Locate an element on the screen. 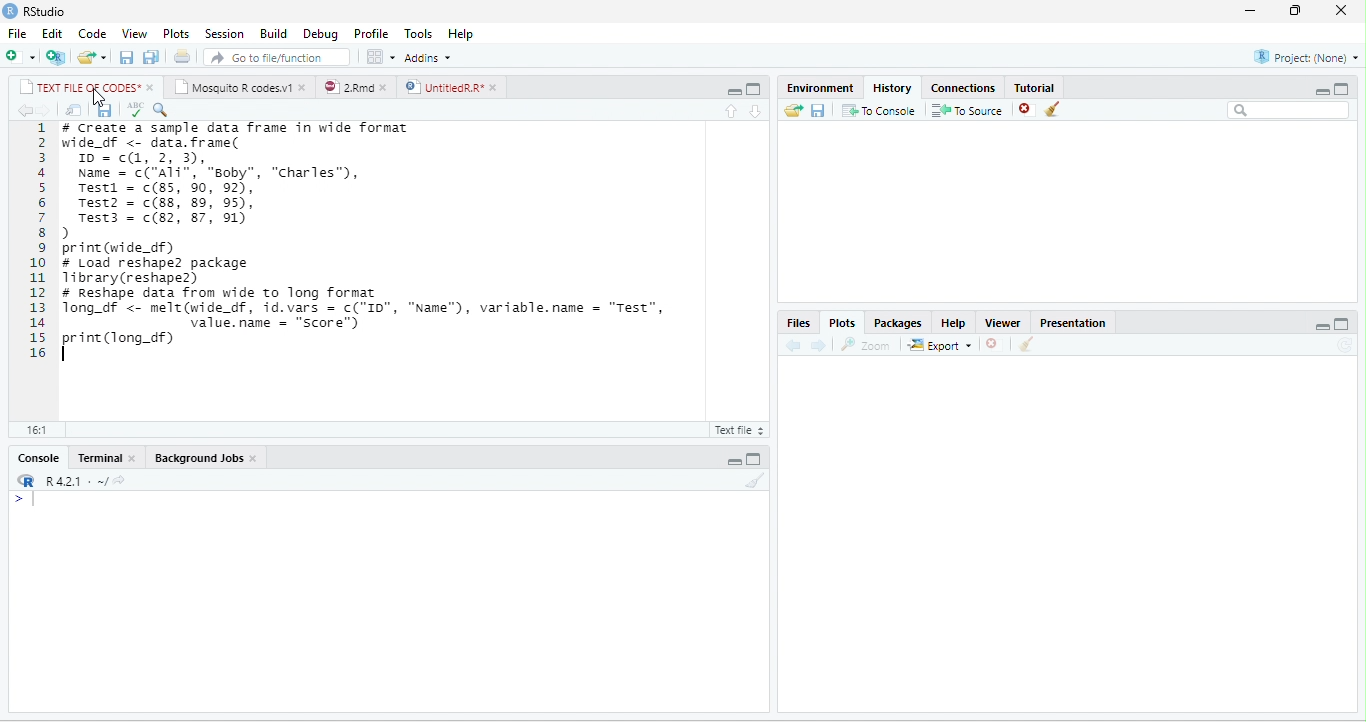 This screenshot has width=1366, height=722. Code is located at coordinates (92, 34).